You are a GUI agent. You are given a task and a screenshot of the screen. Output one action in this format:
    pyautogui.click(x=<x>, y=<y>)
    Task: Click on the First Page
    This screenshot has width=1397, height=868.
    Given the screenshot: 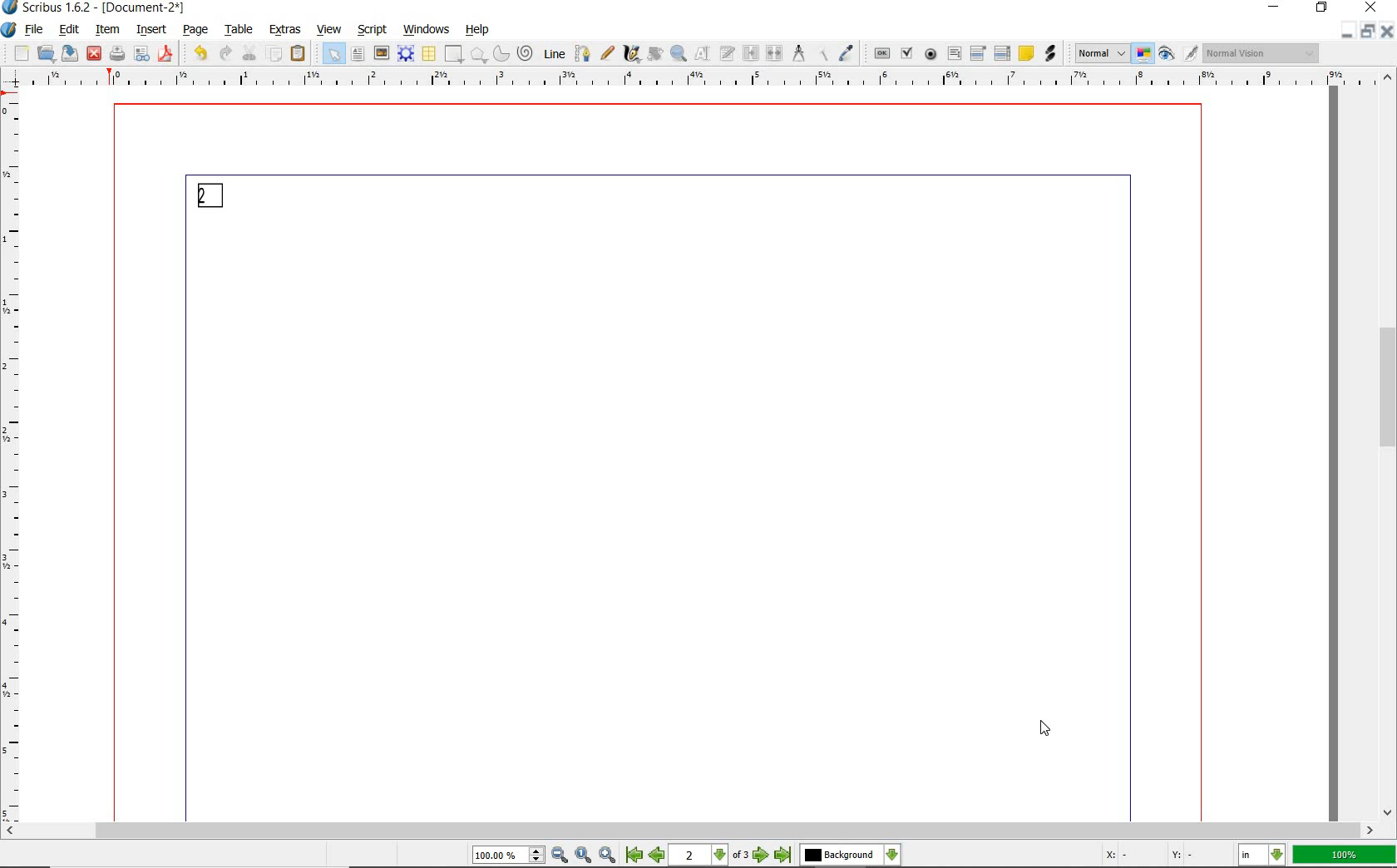 What is the action you would take?
    pyautogui.click(x=634, y=856)
    